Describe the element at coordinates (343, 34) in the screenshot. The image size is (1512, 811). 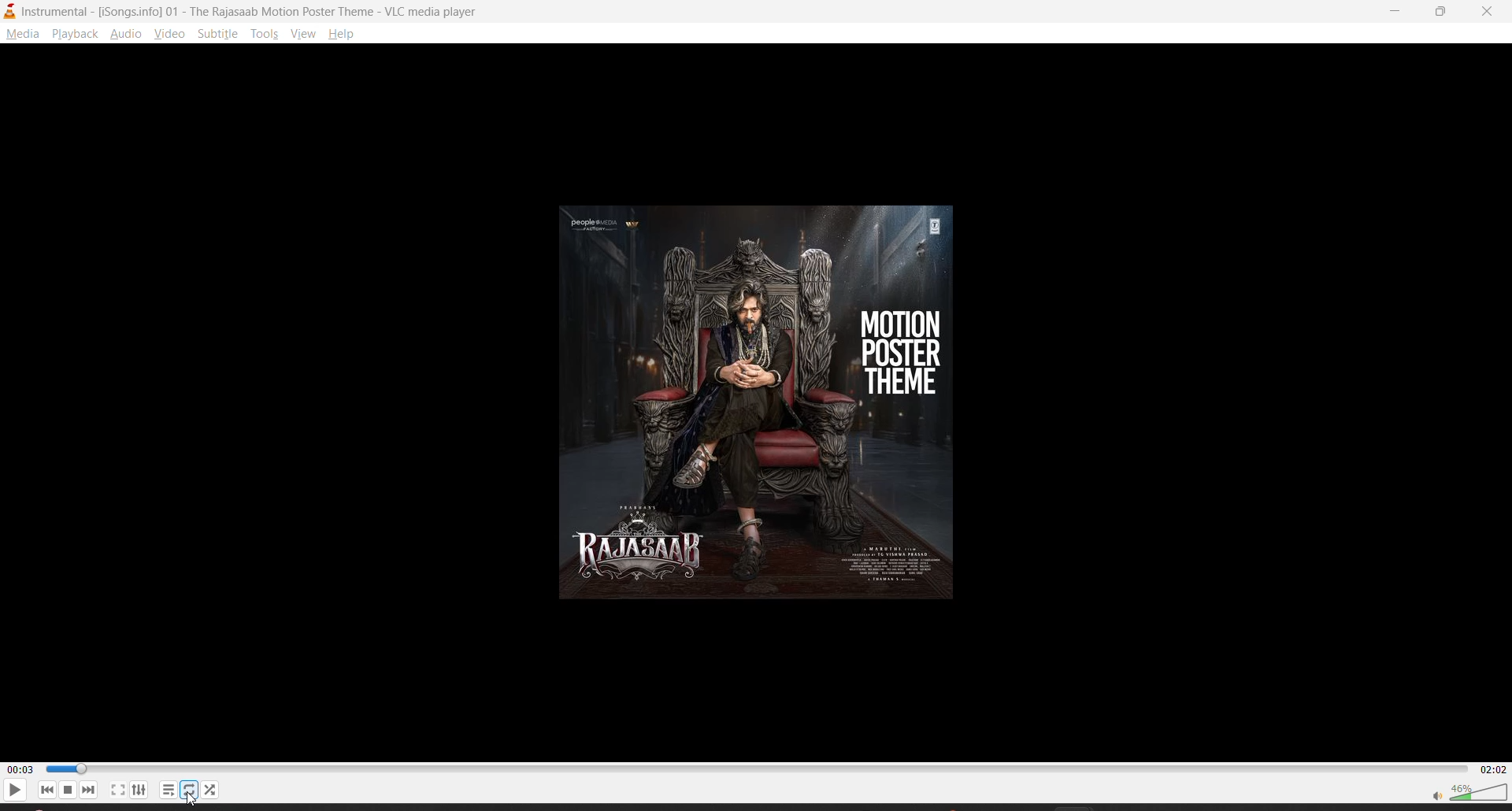
I see `help` at that location.